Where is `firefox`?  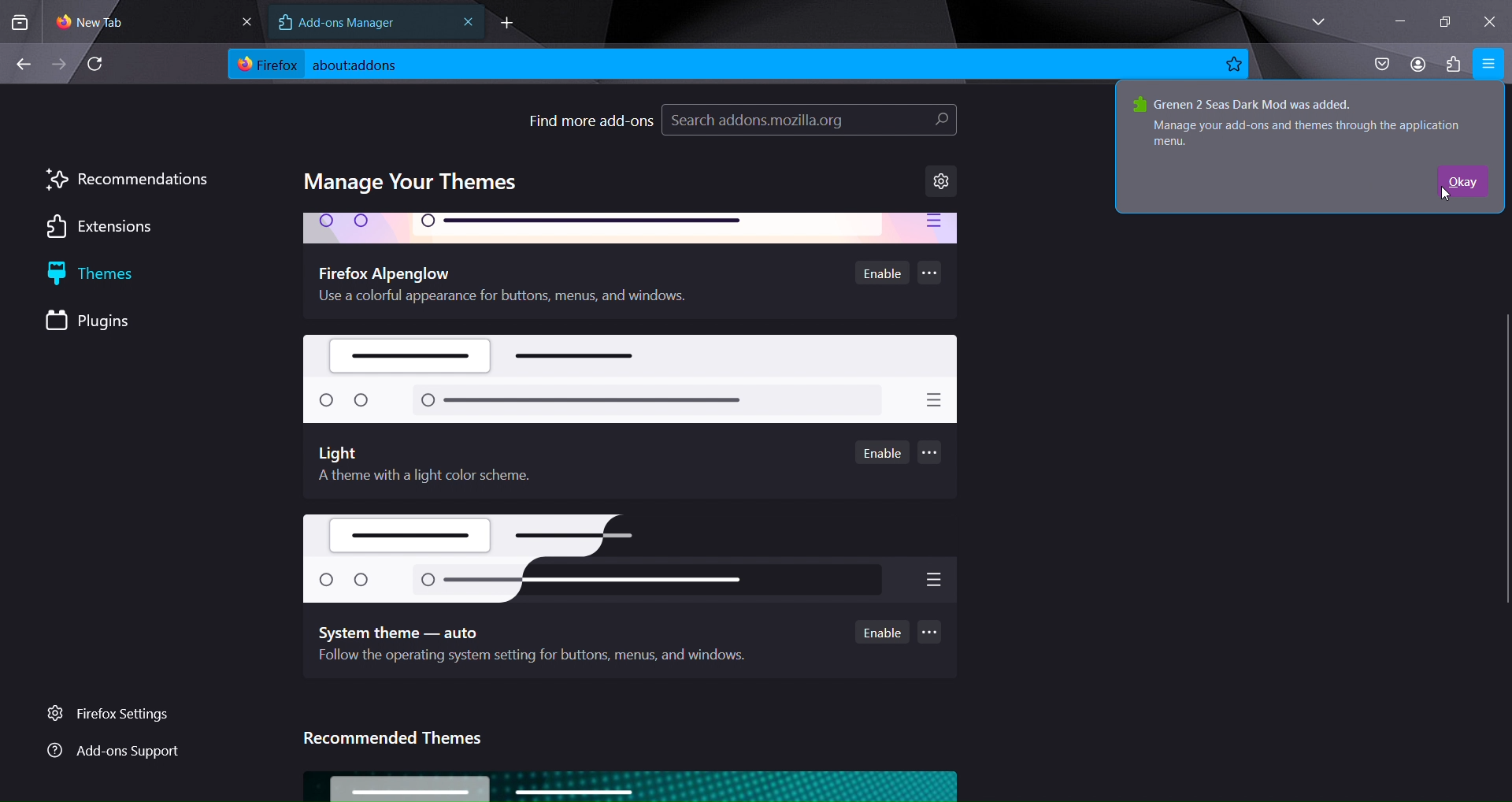
firefox is located at coordinates (265, 67).